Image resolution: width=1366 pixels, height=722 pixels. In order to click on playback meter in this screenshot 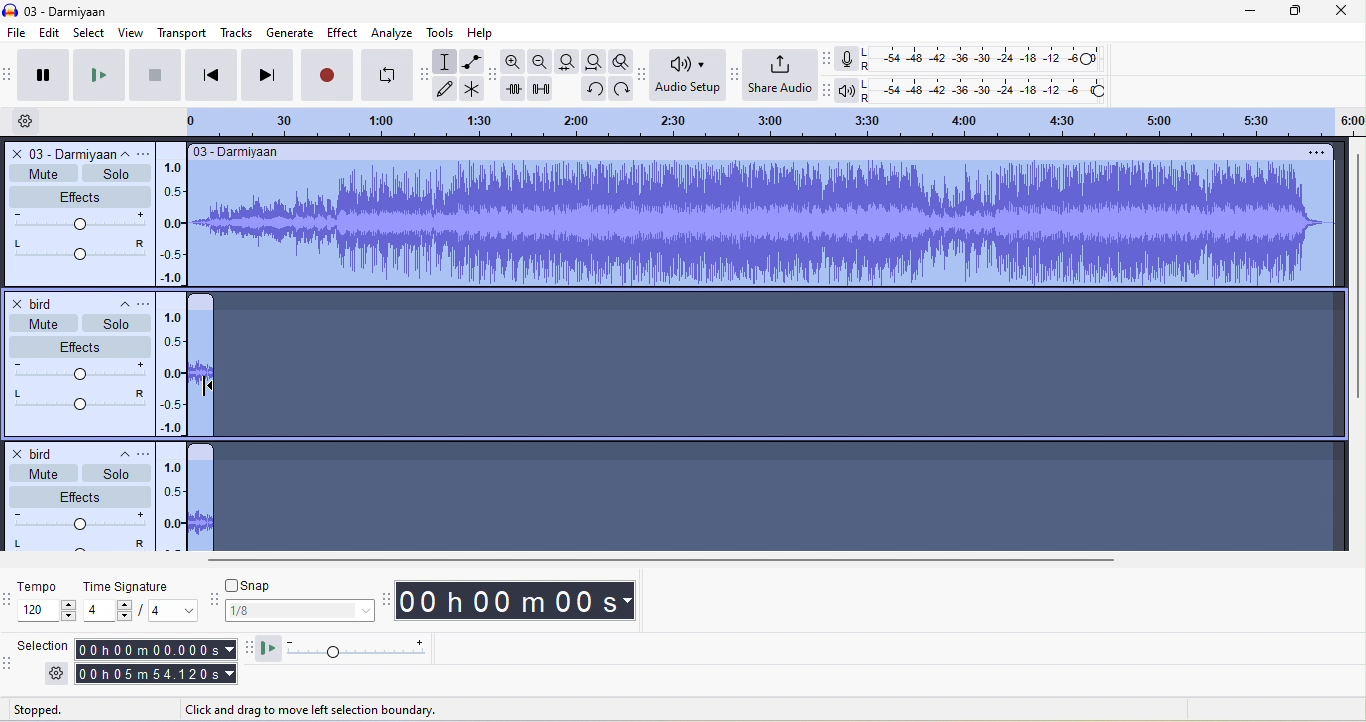, I will do `click(849, 90)`.